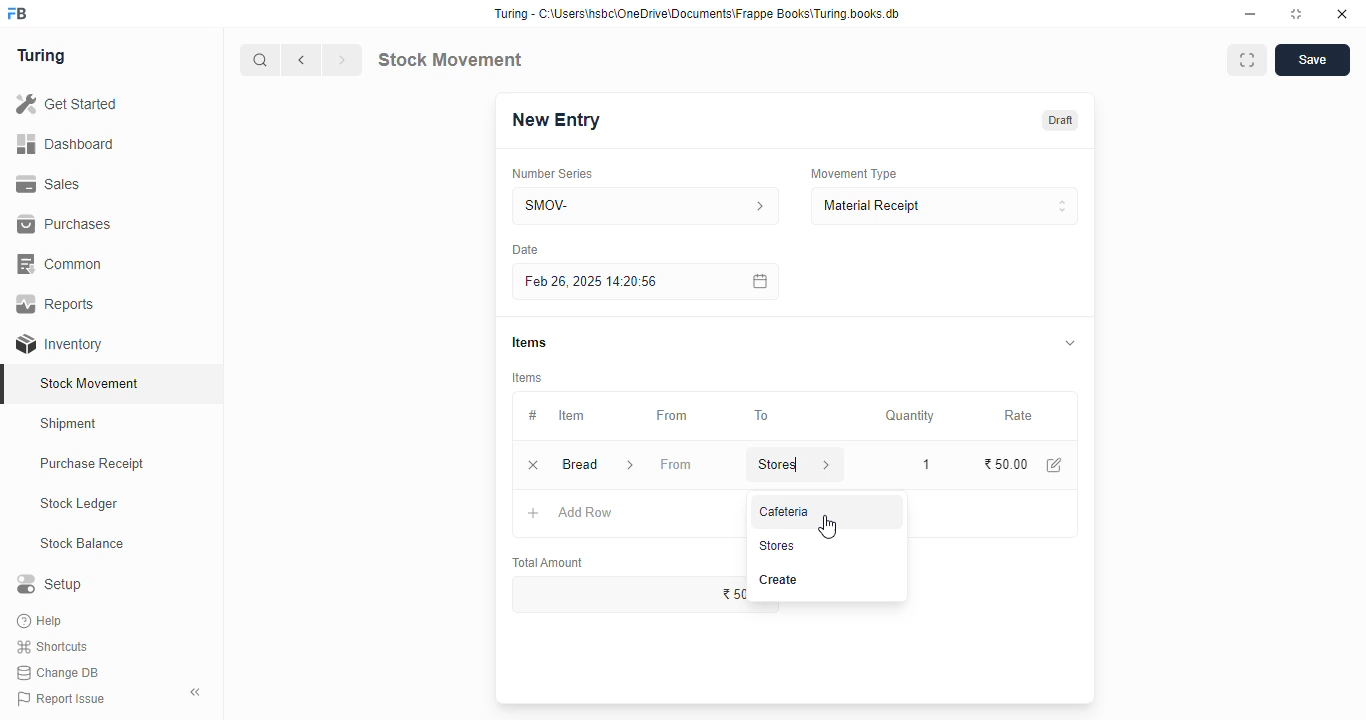 The height and width of the screenshot is (720, 1366). What do you see at coordinates (65, 145) in the screenshot?
I see `dashboard` at bounding box center [65, 145].